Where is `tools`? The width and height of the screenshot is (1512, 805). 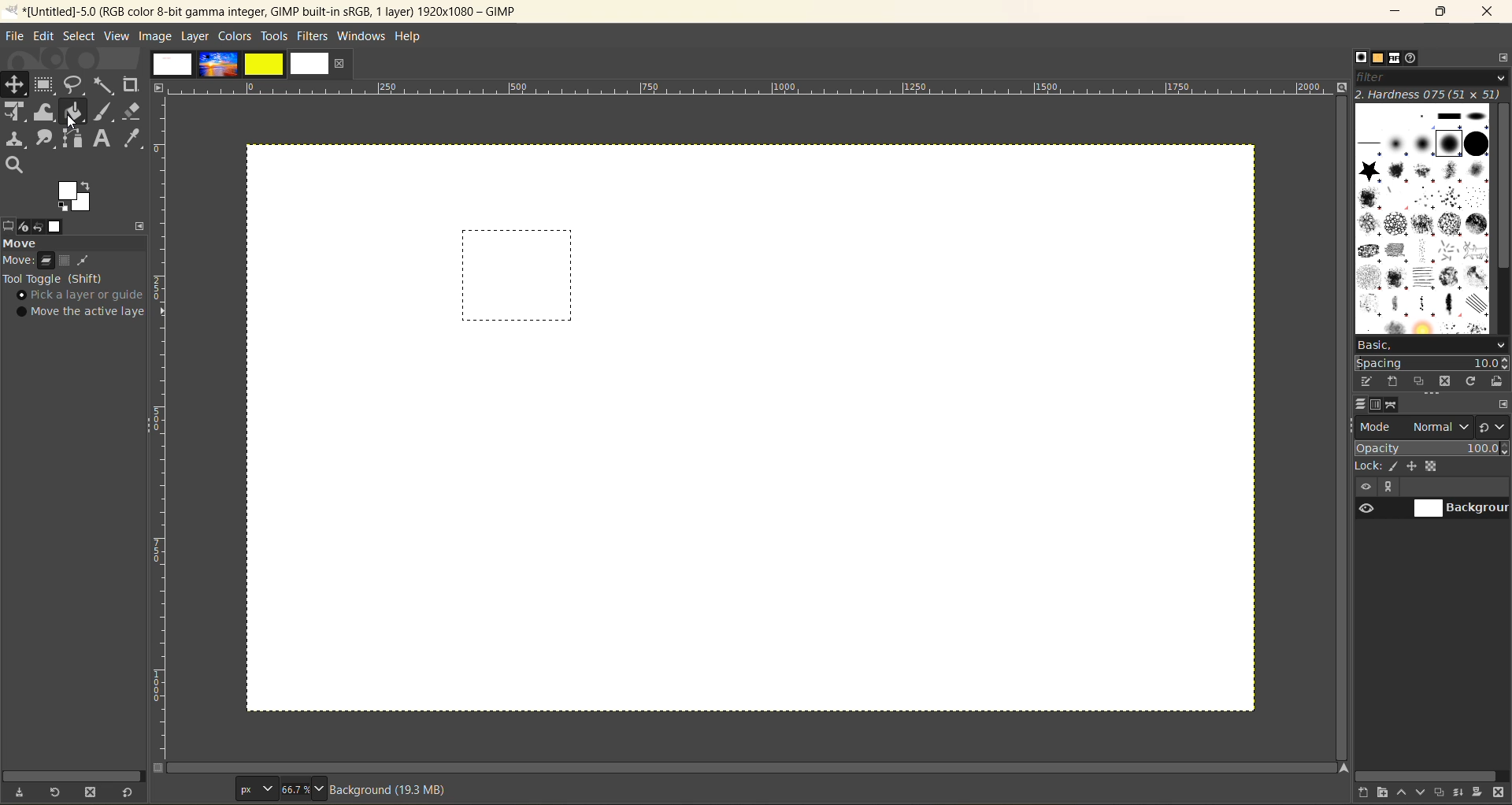
tools is located at coordinates (276, 37).